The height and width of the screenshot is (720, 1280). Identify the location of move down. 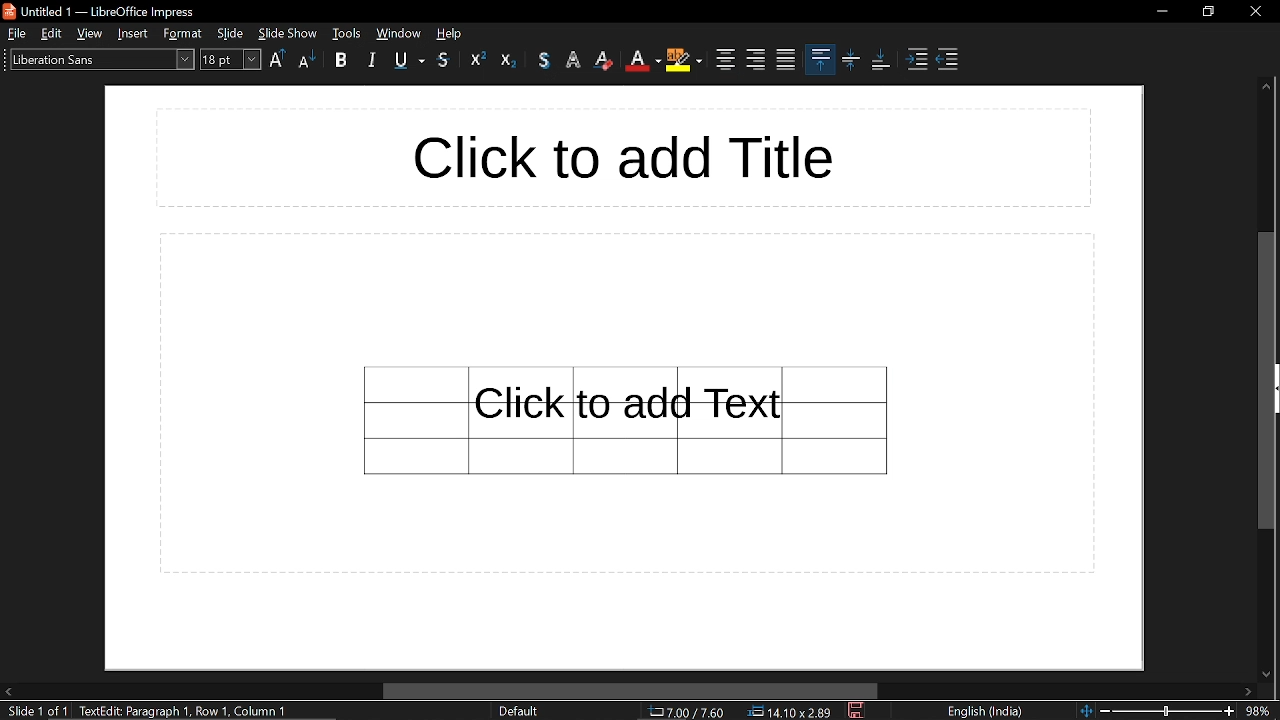
(1268, 673).